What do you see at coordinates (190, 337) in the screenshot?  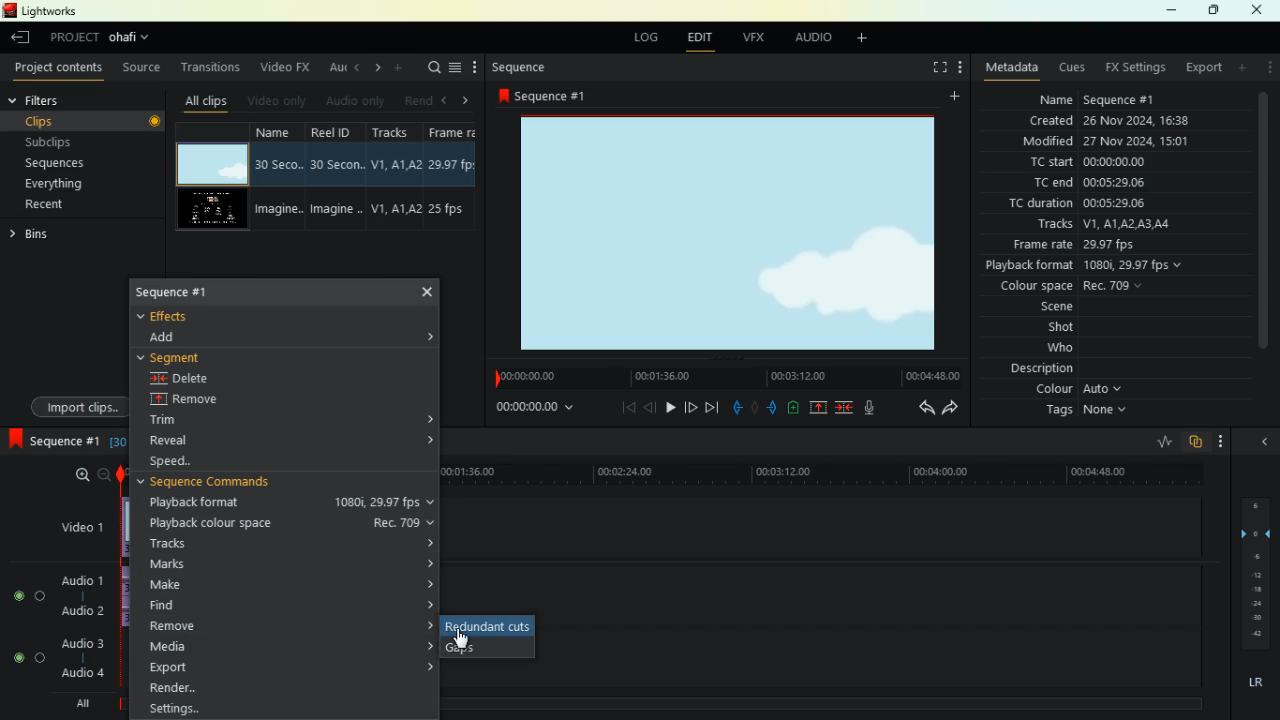 I see `dd` at bounding box center [190, 337].